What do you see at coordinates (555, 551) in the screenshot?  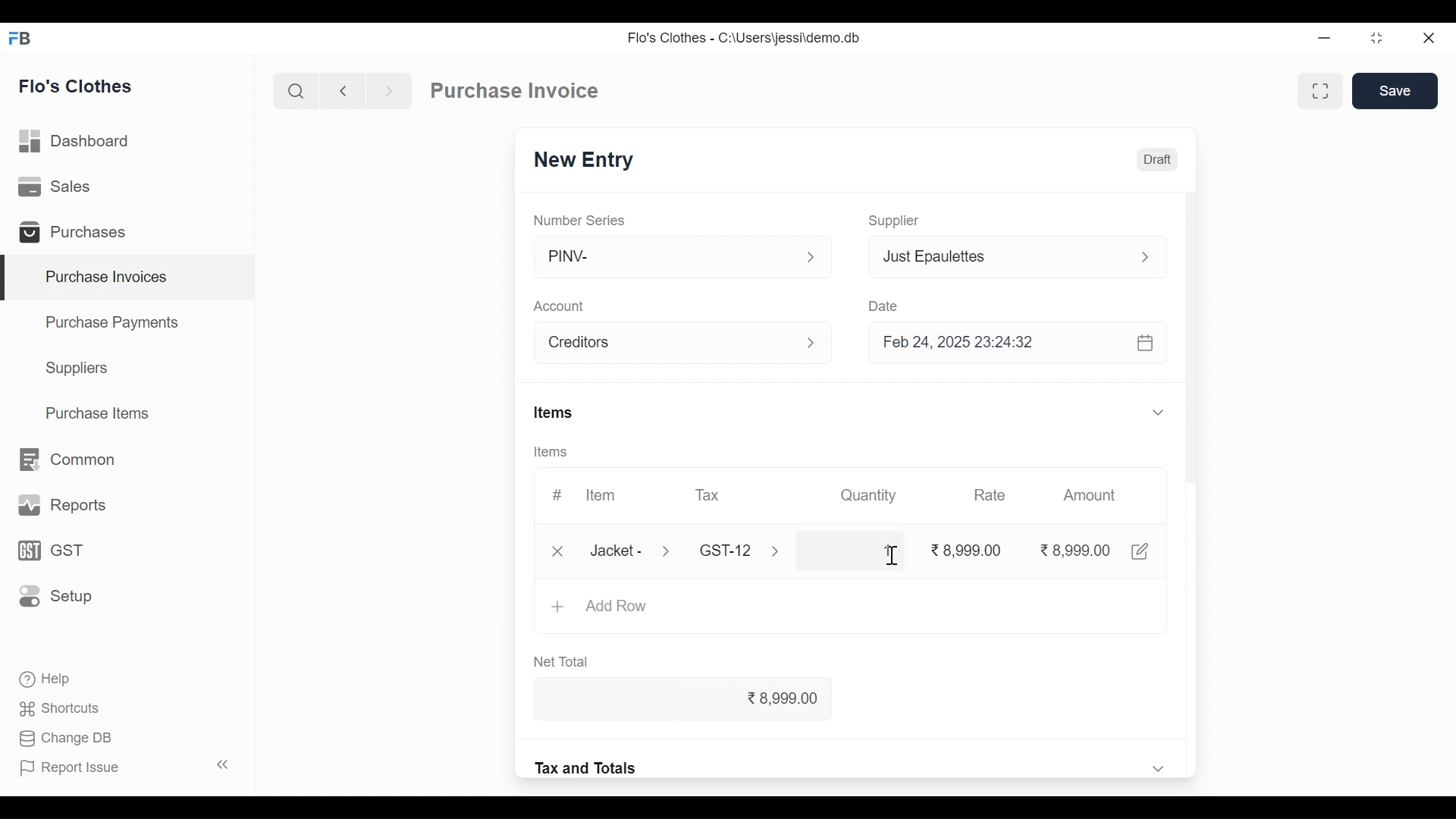 I see `Close` at bounding box center [555, 551].